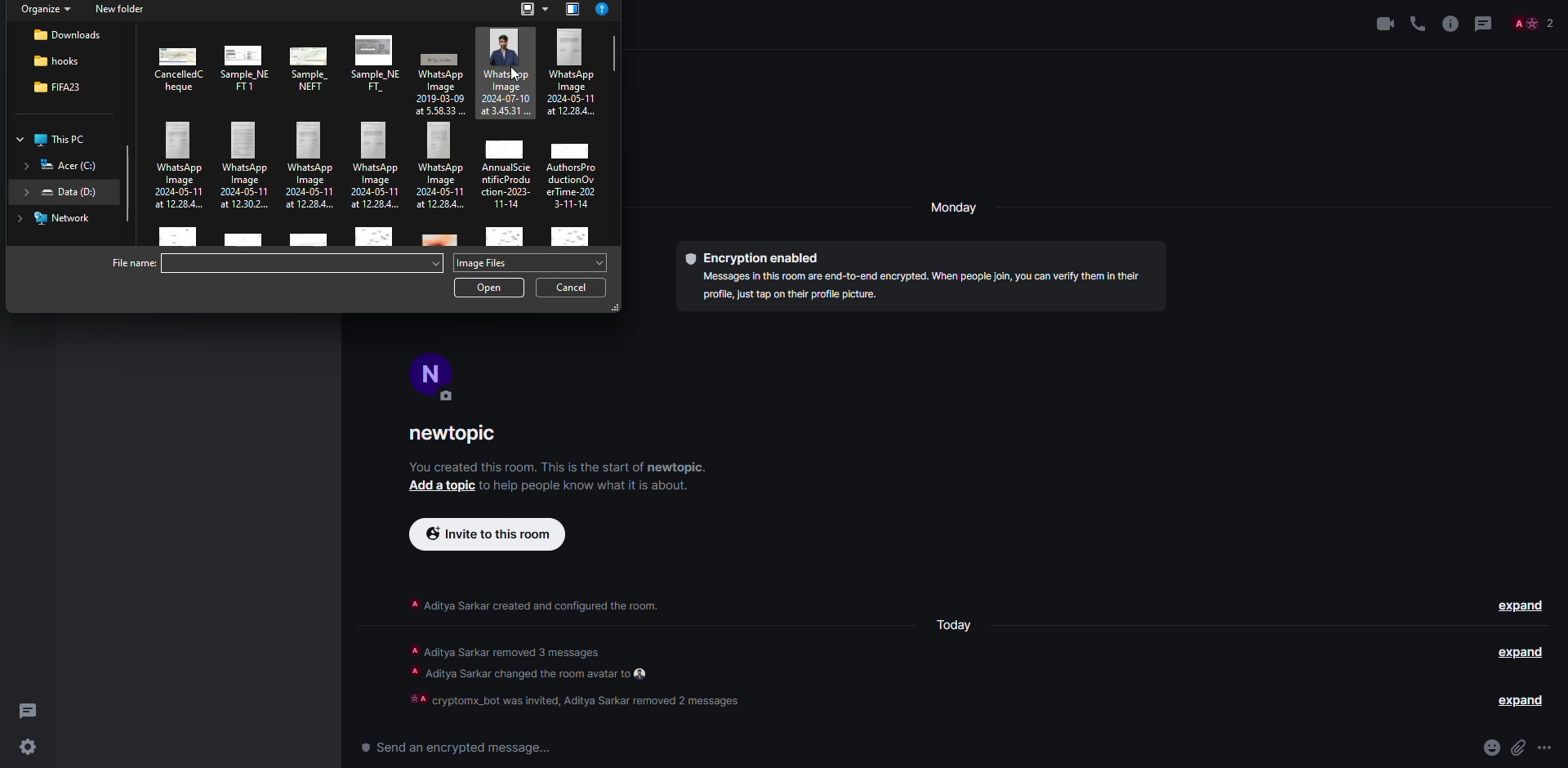 Image resolution: width=1568 pixels, height=768 pixels. I want to click on click to select, so click(573, 70).